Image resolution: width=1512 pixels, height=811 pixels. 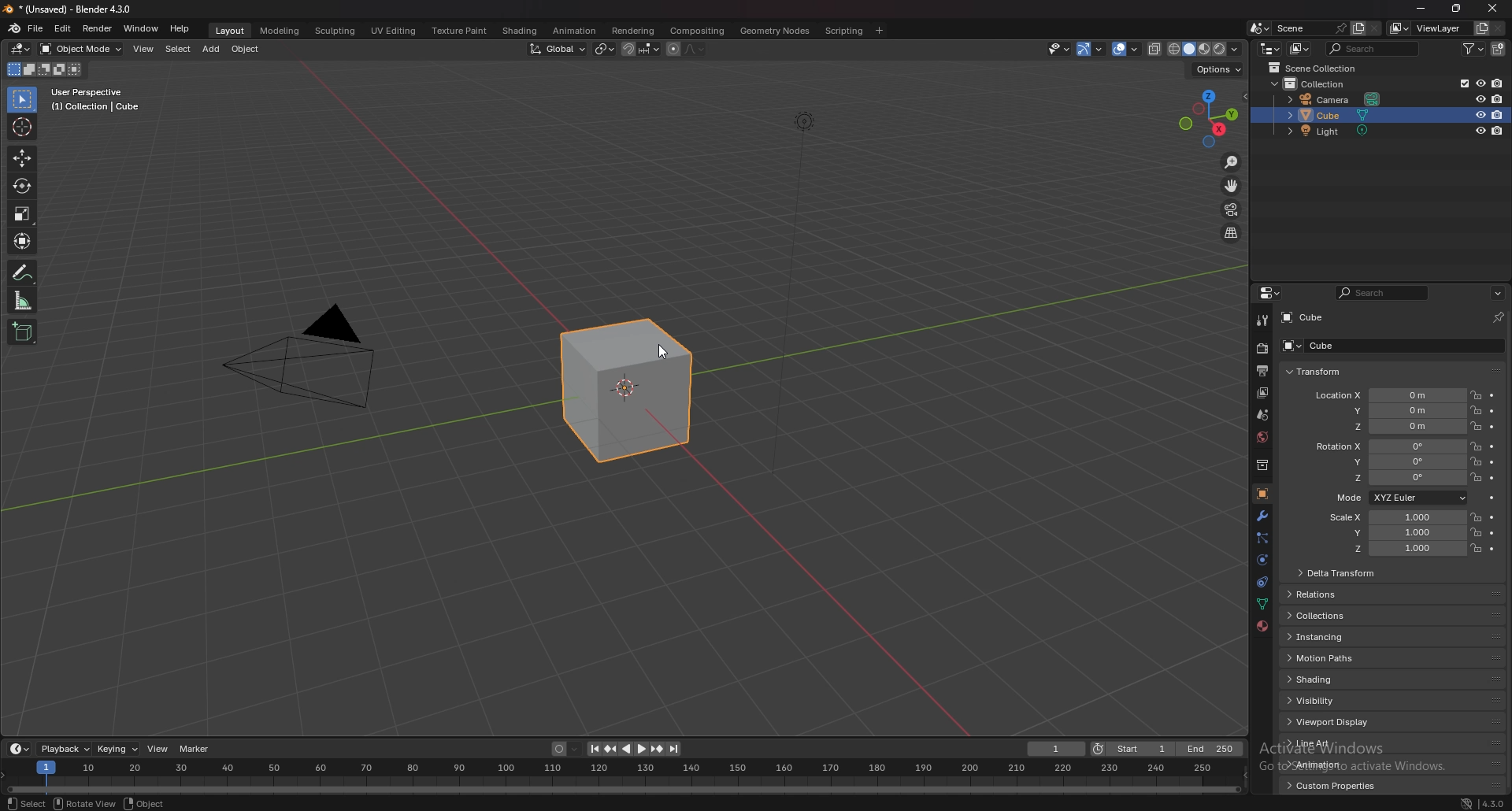 What do you see at coordinates (1055, 749) in the screenshot?
I see `current frame` at bounding box center [1055, 749].